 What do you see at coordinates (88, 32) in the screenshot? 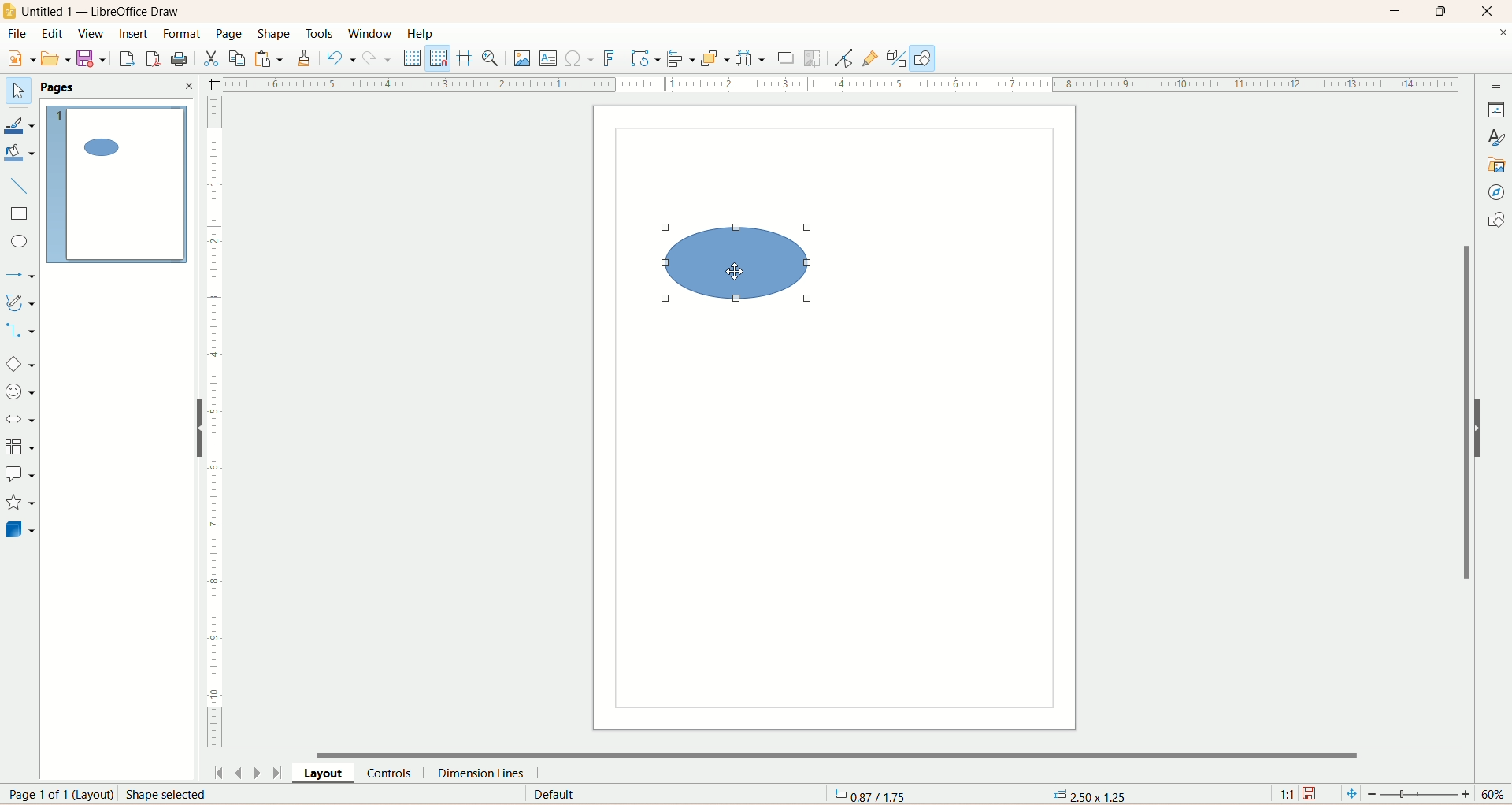
I see `view` at bounding box center [88, 32].